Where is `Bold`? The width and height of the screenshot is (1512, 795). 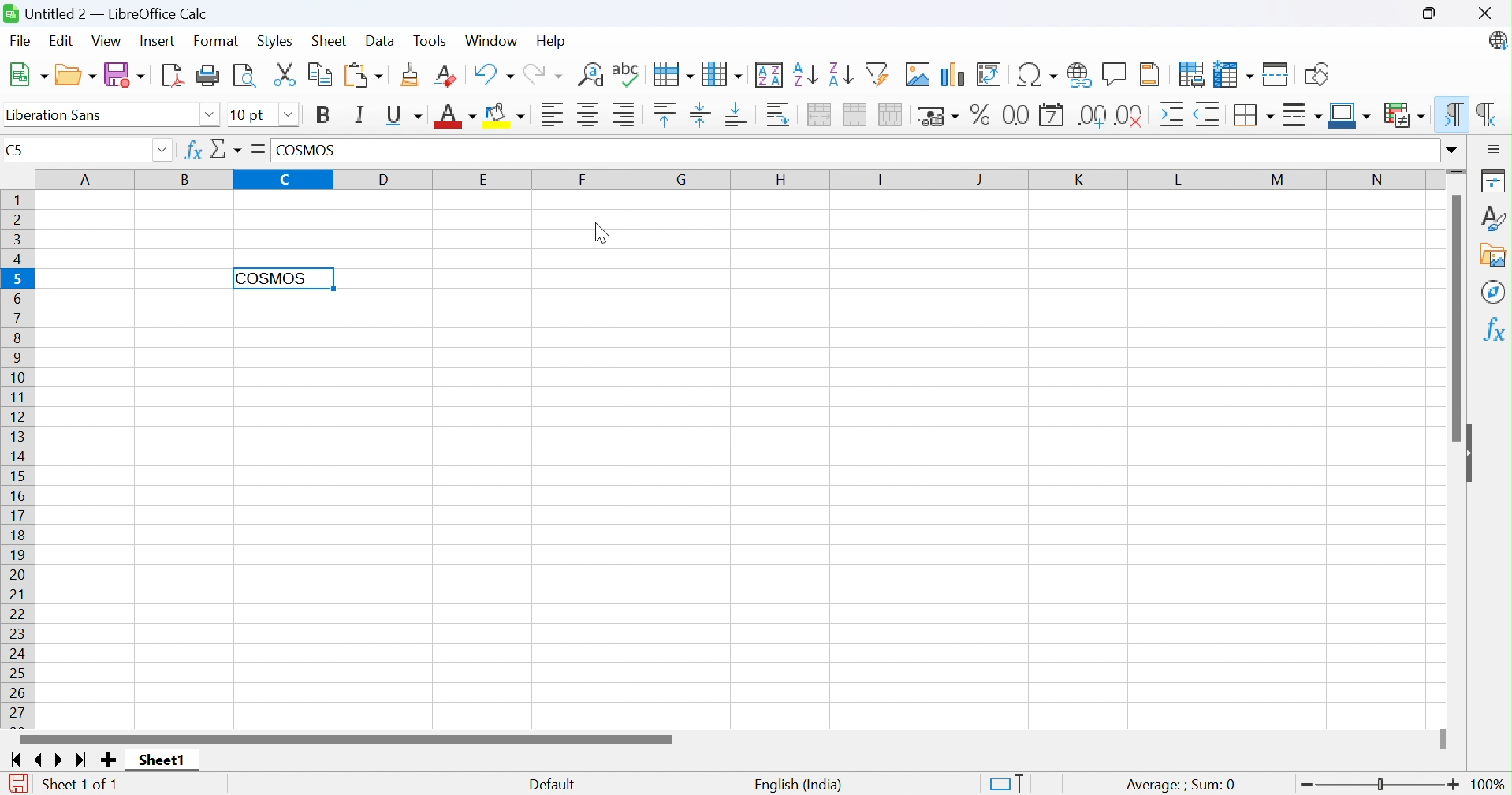
Bold is located at coordinates (324, 118).